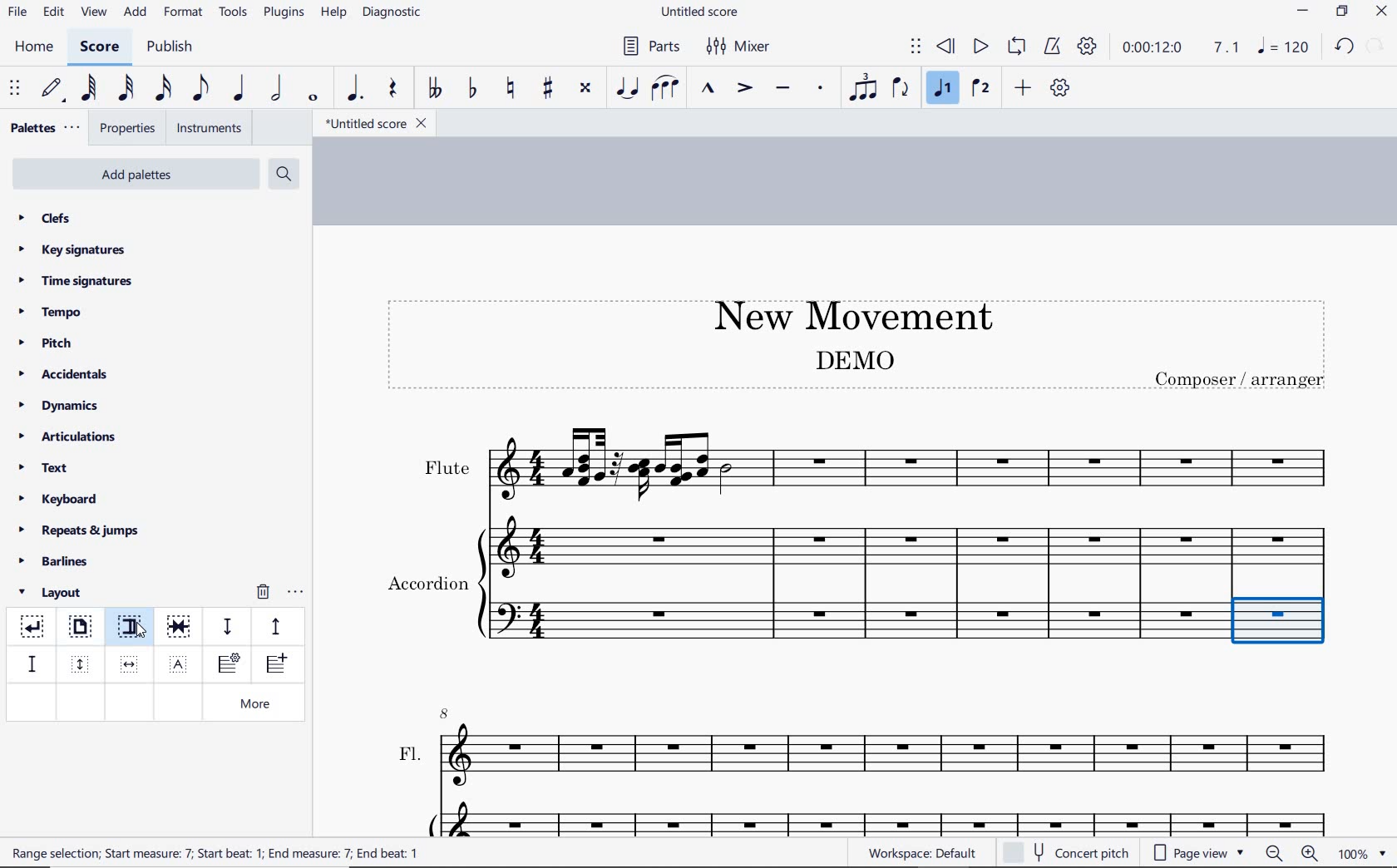  Describe the element at coordinates (895, 757) in the screenshot. I see `FL` at that location.